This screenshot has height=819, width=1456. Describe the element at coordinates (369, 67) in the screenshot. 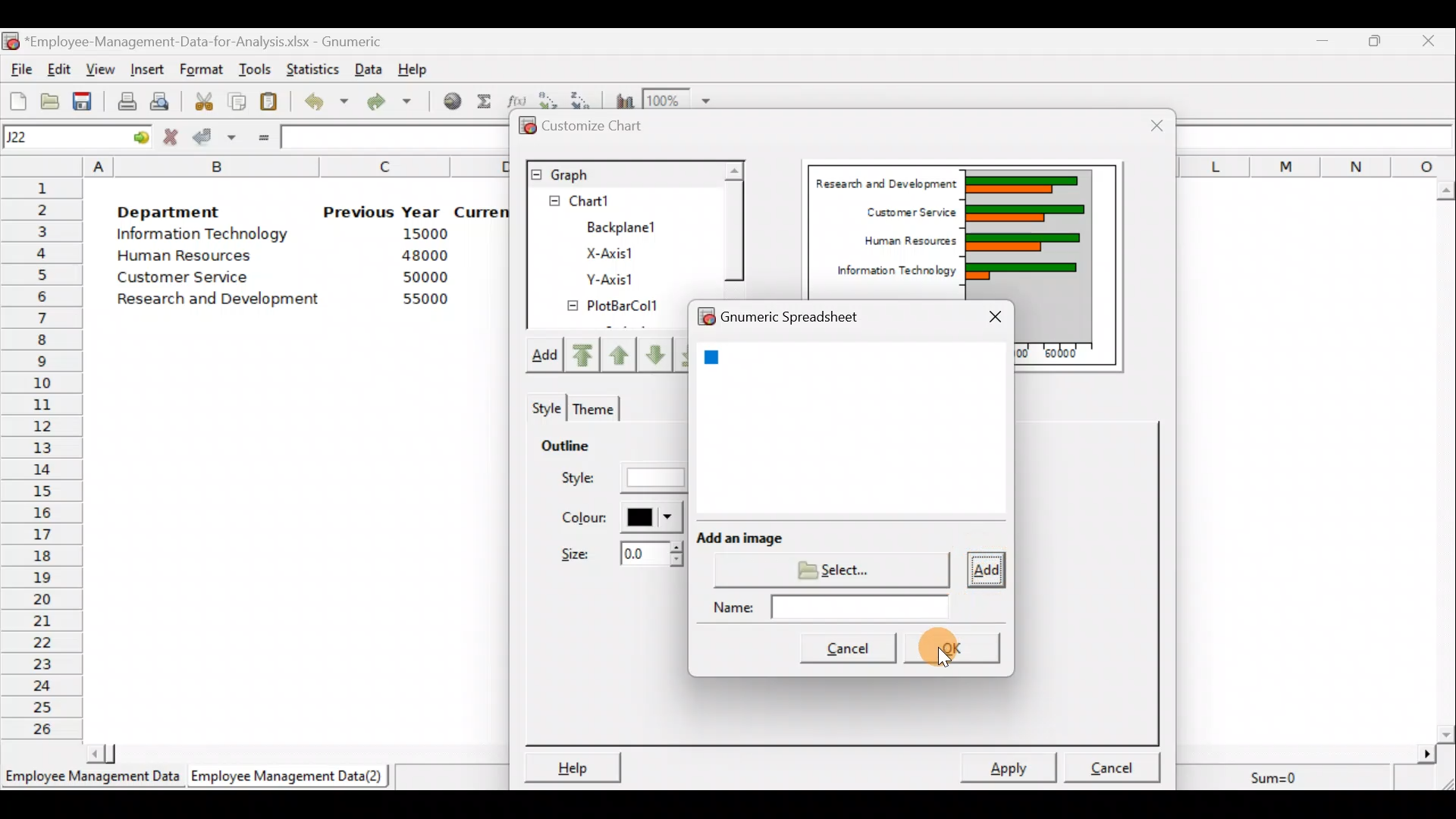

I see `Data` at that location.